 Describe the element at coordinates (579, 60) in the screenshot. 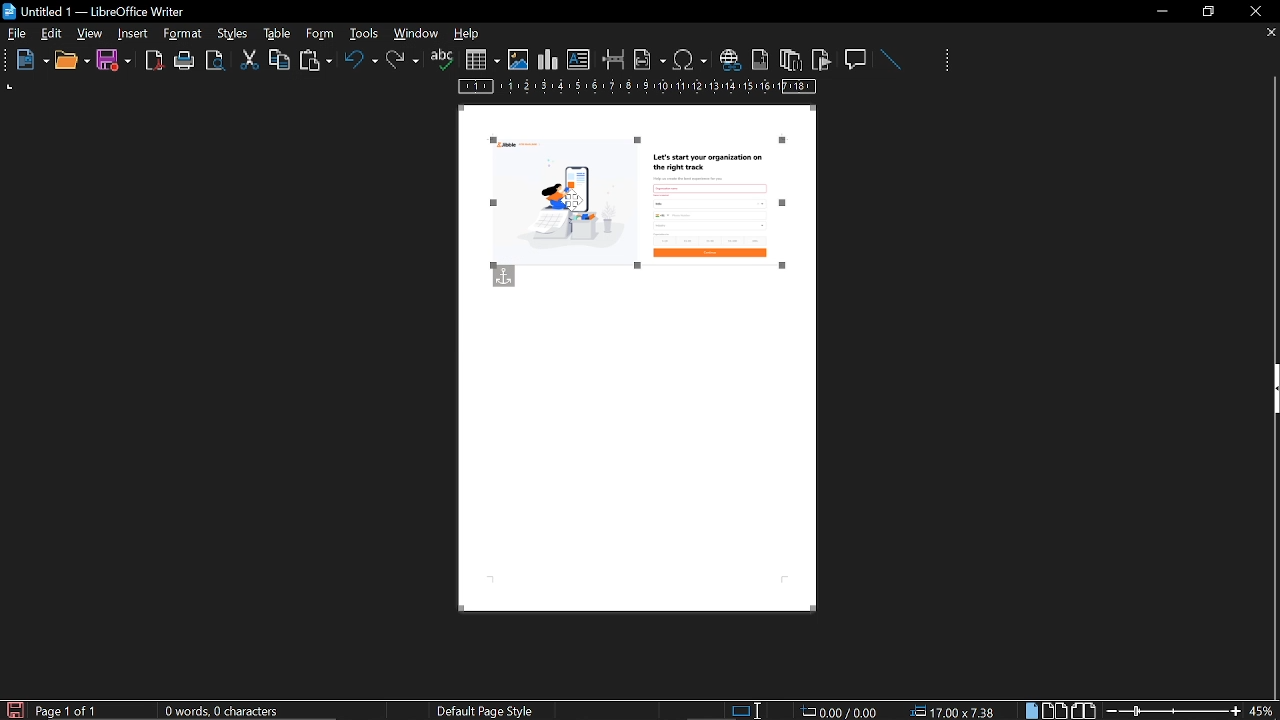

I see `insert text` at that location.